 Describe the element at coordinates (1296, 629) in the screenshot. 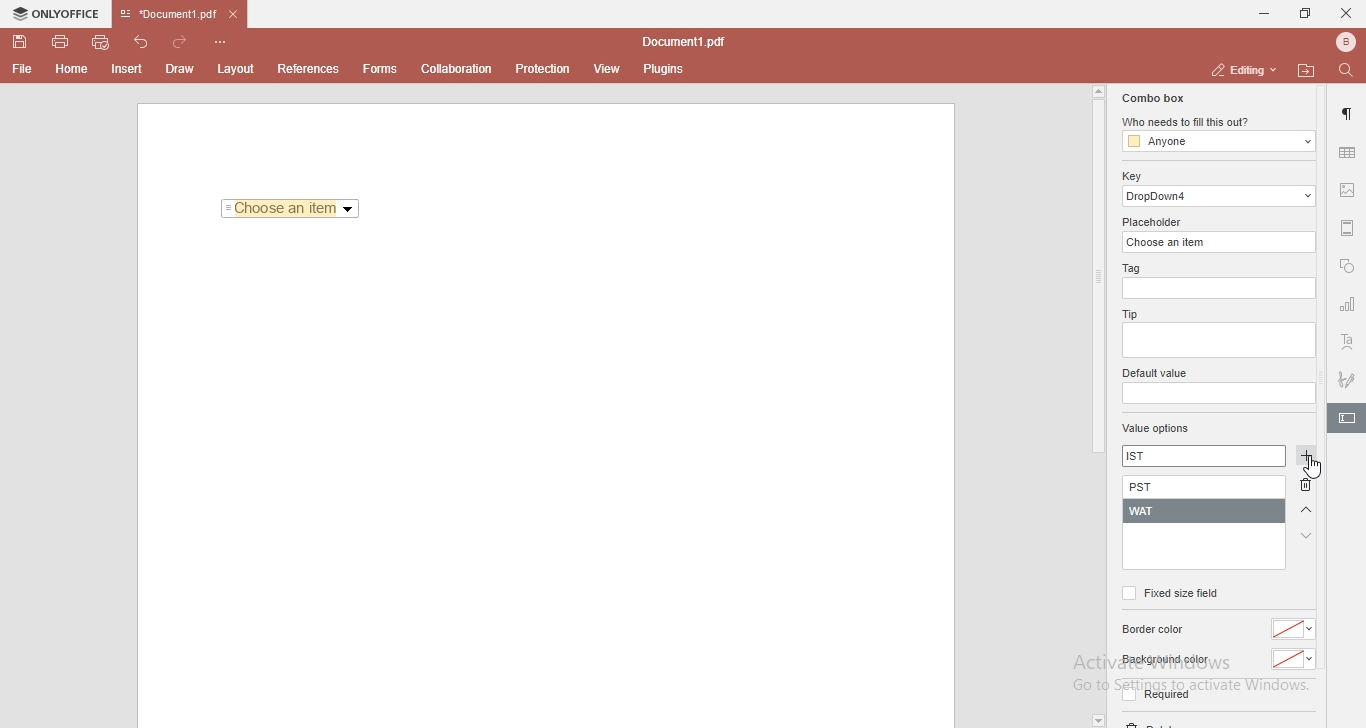

I see `color dropdown` at that location.